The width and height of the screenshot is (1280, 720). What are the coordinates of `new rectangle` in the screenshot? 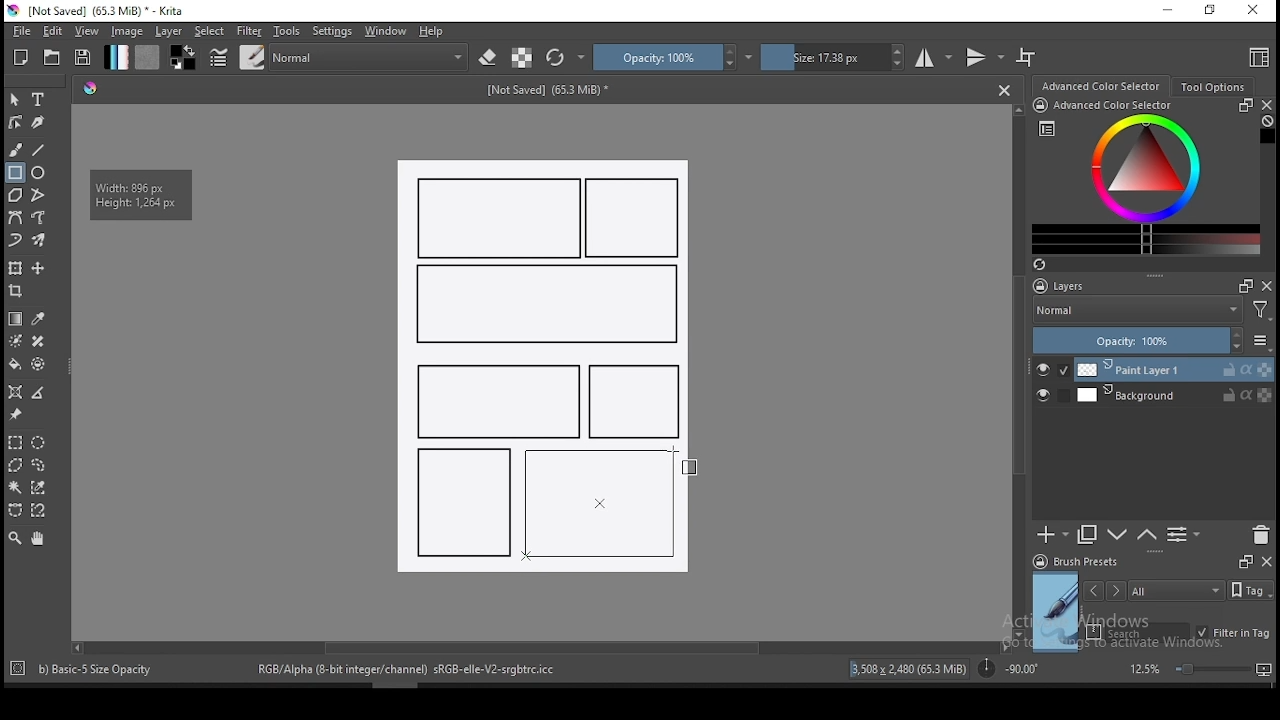 It's located at (494, 399).